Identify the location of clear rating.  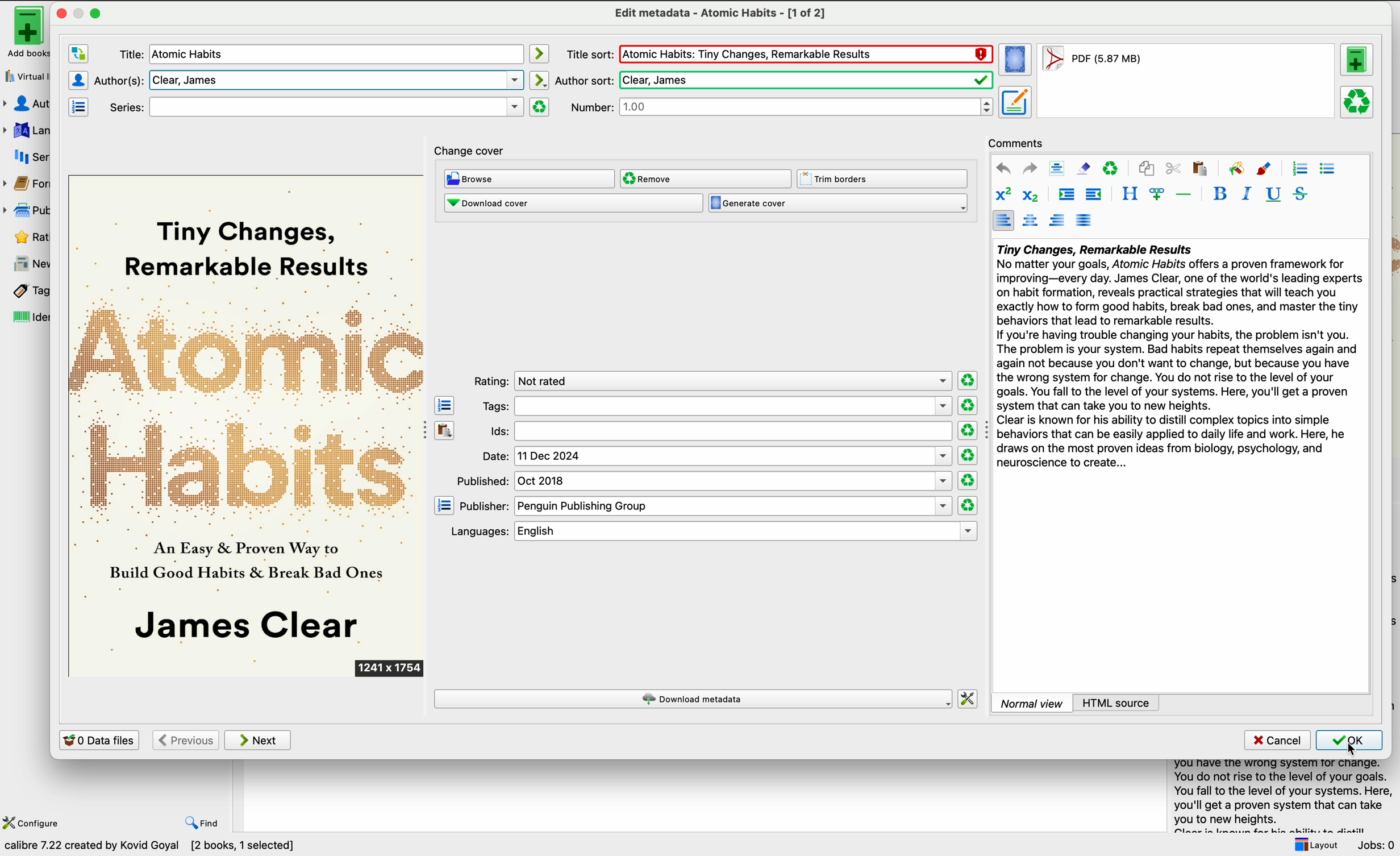
(968, 505).